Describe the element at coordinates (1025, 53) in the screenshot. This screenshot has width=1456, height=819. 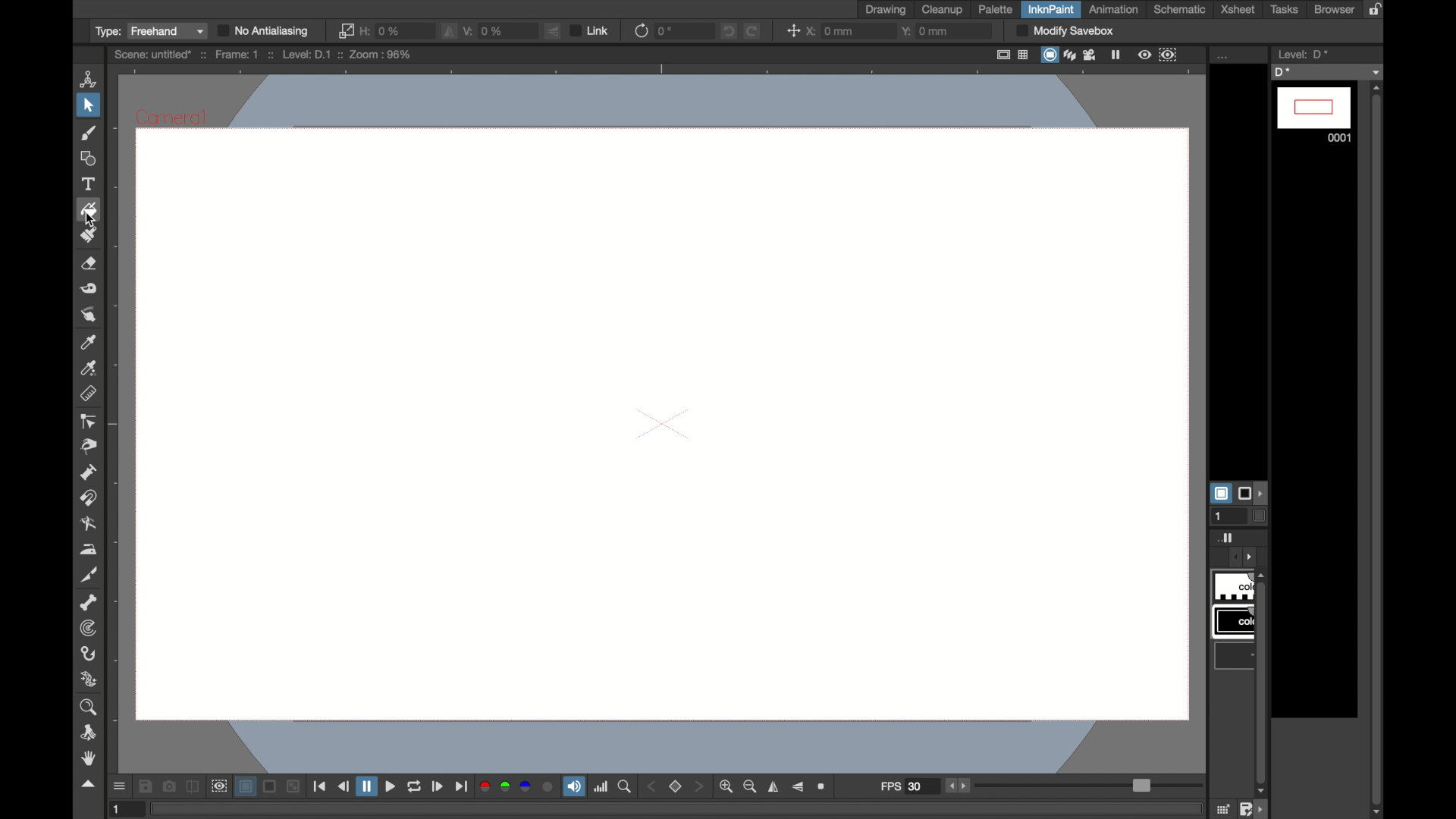
I see `table` at that location.